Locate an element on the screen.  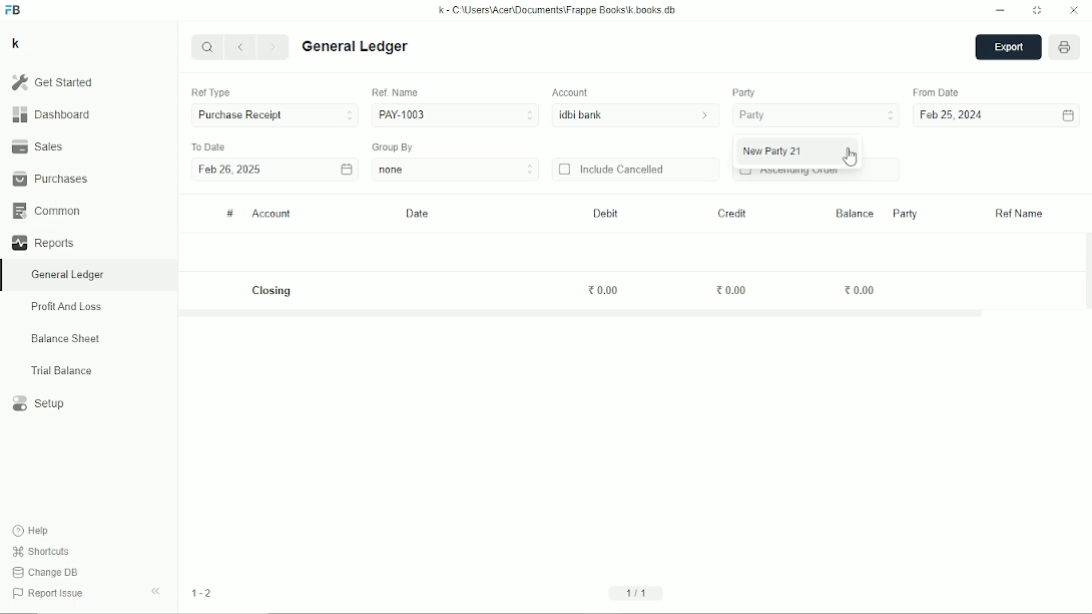
k - C:\Users\Acer\Documents\Frappe books\k.books.db is located at coordinates (558, 10).